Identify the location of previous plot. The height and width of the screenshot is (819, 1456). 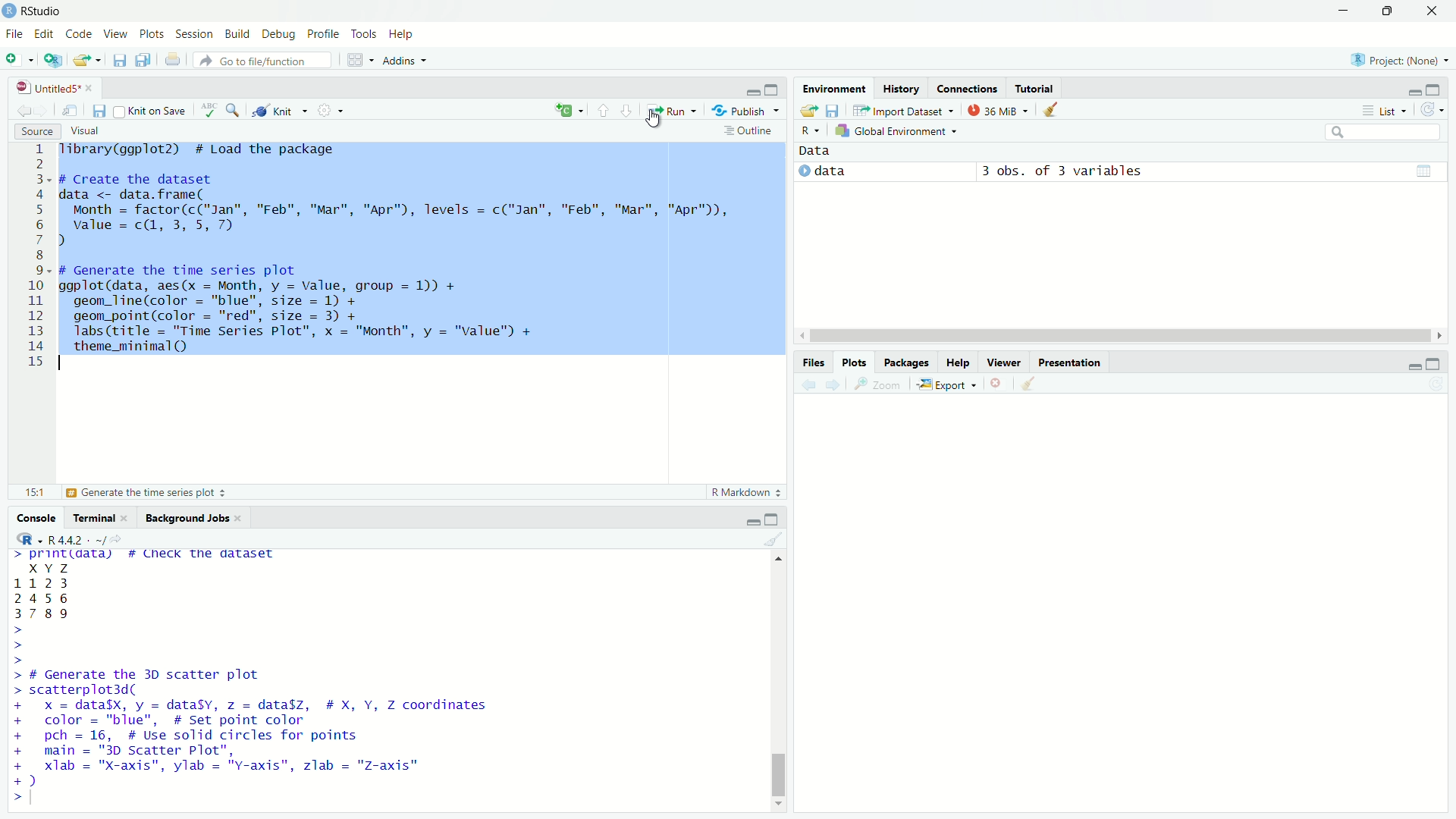
(805, 384).